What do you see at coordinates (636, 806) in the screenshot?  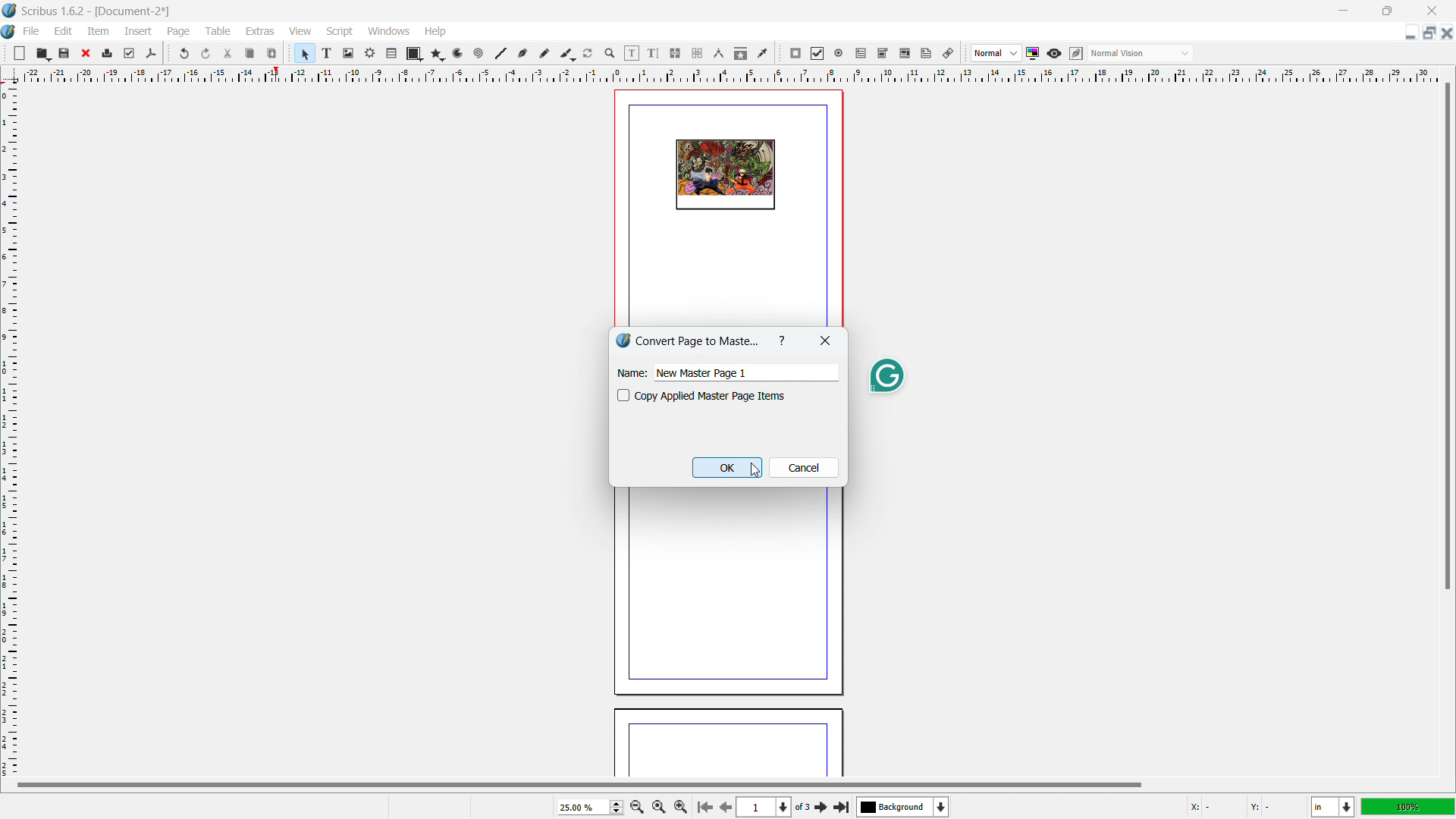 I see `zoom out by the stepping value in tool preference` at bounding box center [636, 806].